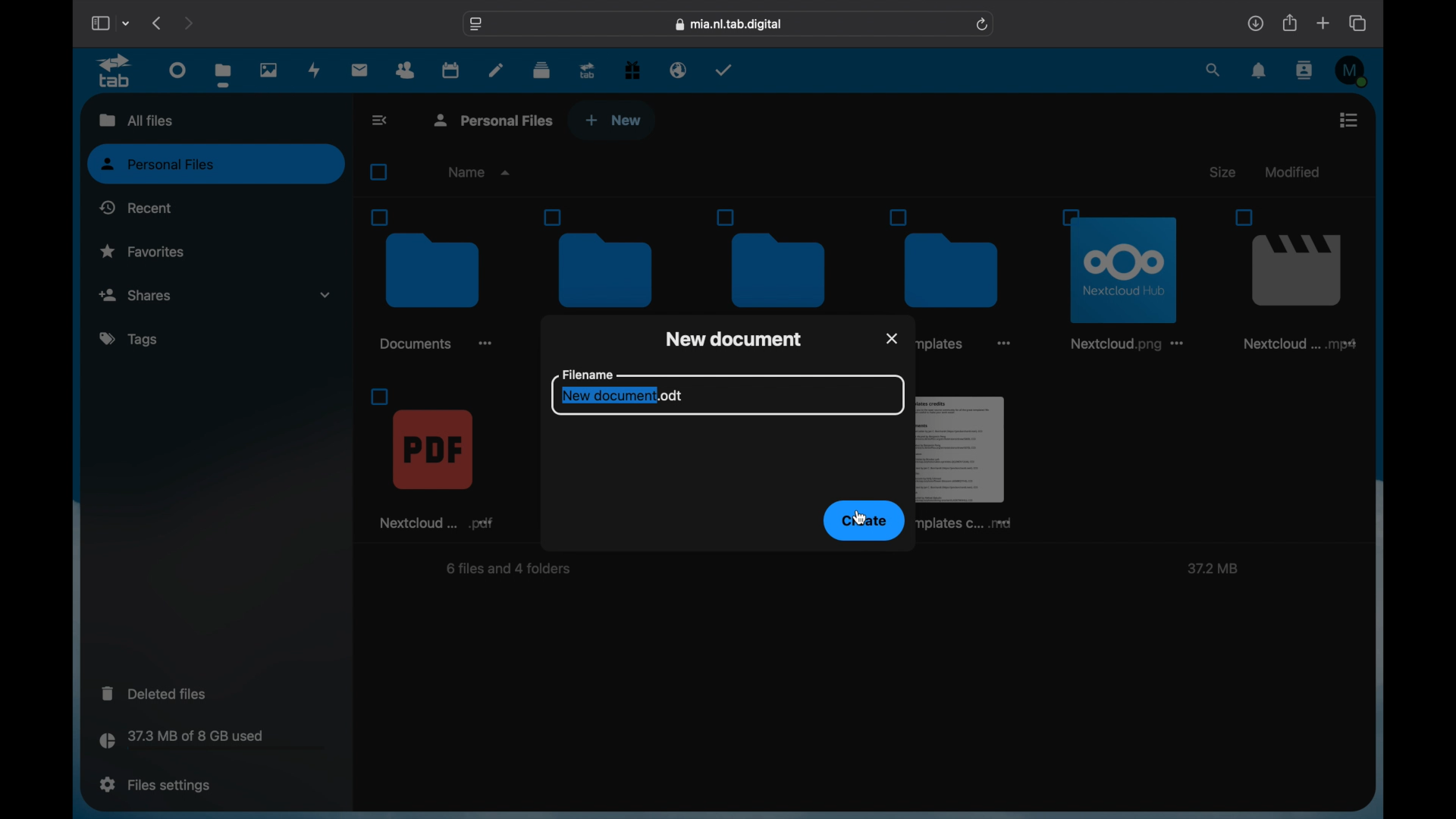 The width and height of the screenshot is (1456, 819). Describe the element at coordinates (586, 374) in the screenshot. I see `filename` at that location.